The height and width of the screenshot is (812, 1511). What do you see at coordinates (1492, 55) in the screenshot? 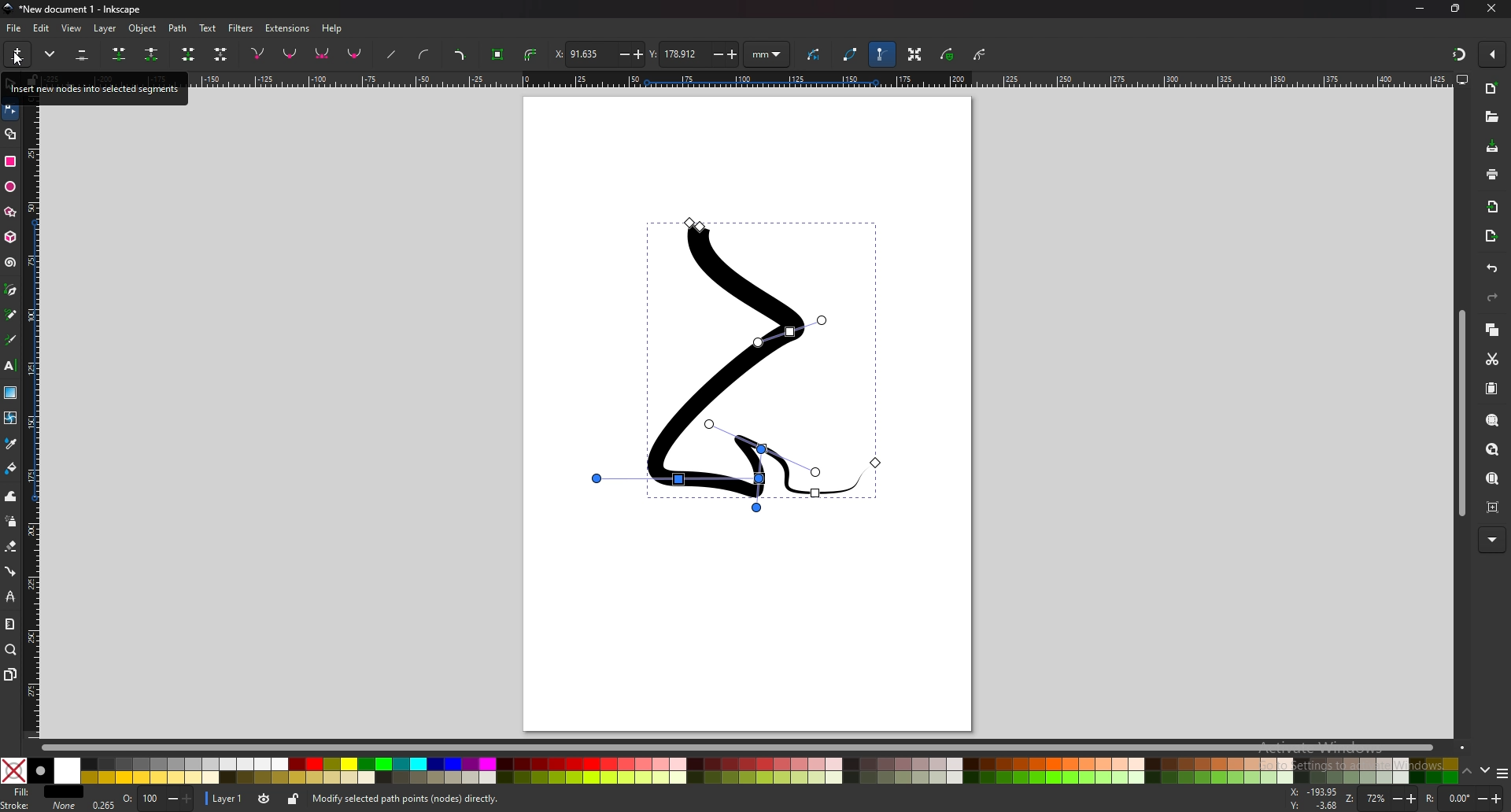
I see `enable snapper` at bounding box center [1492, 55].